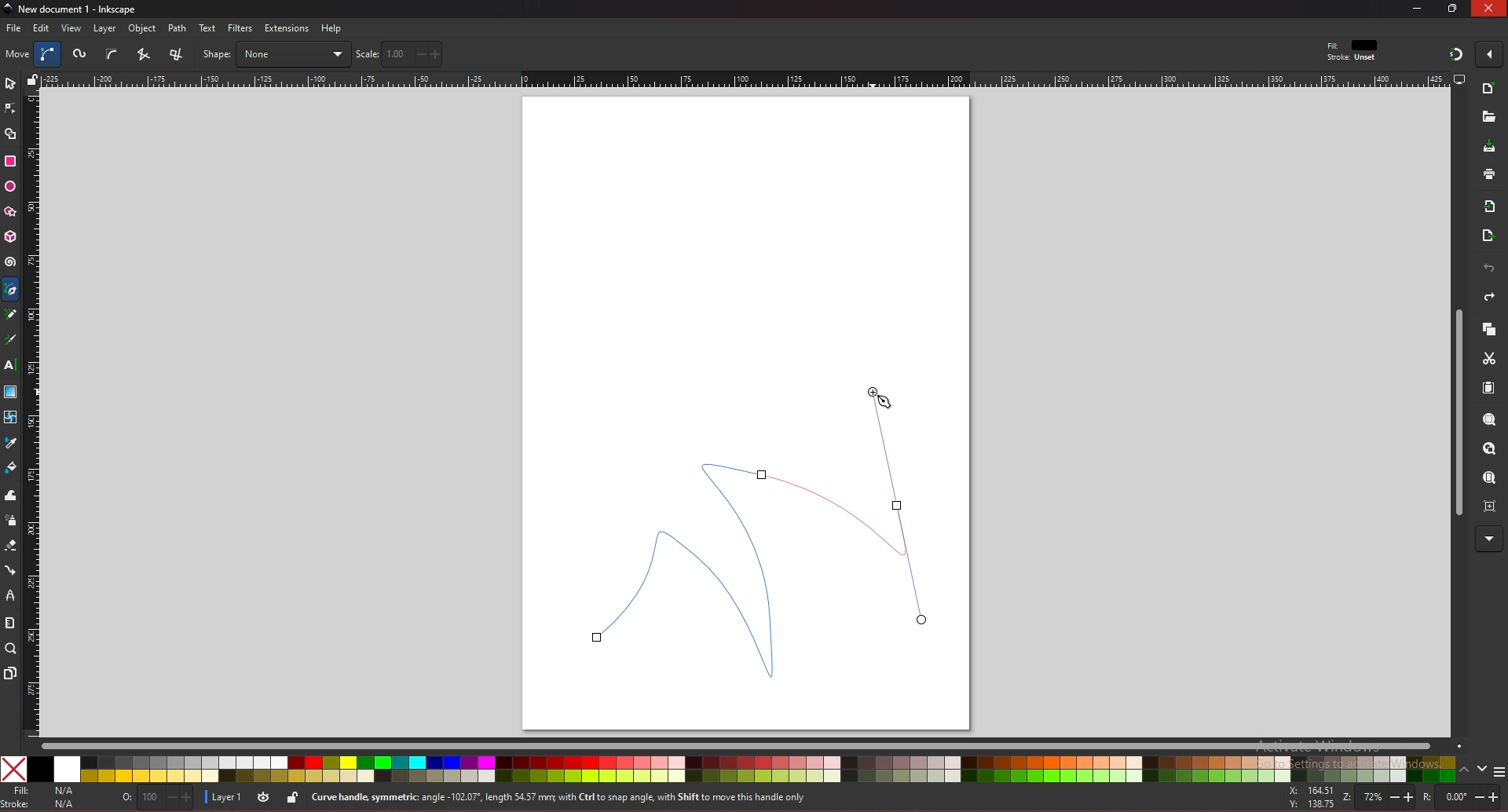 This screenshot has height=812, width=1508. I want to click on measure, so click(9, 623).